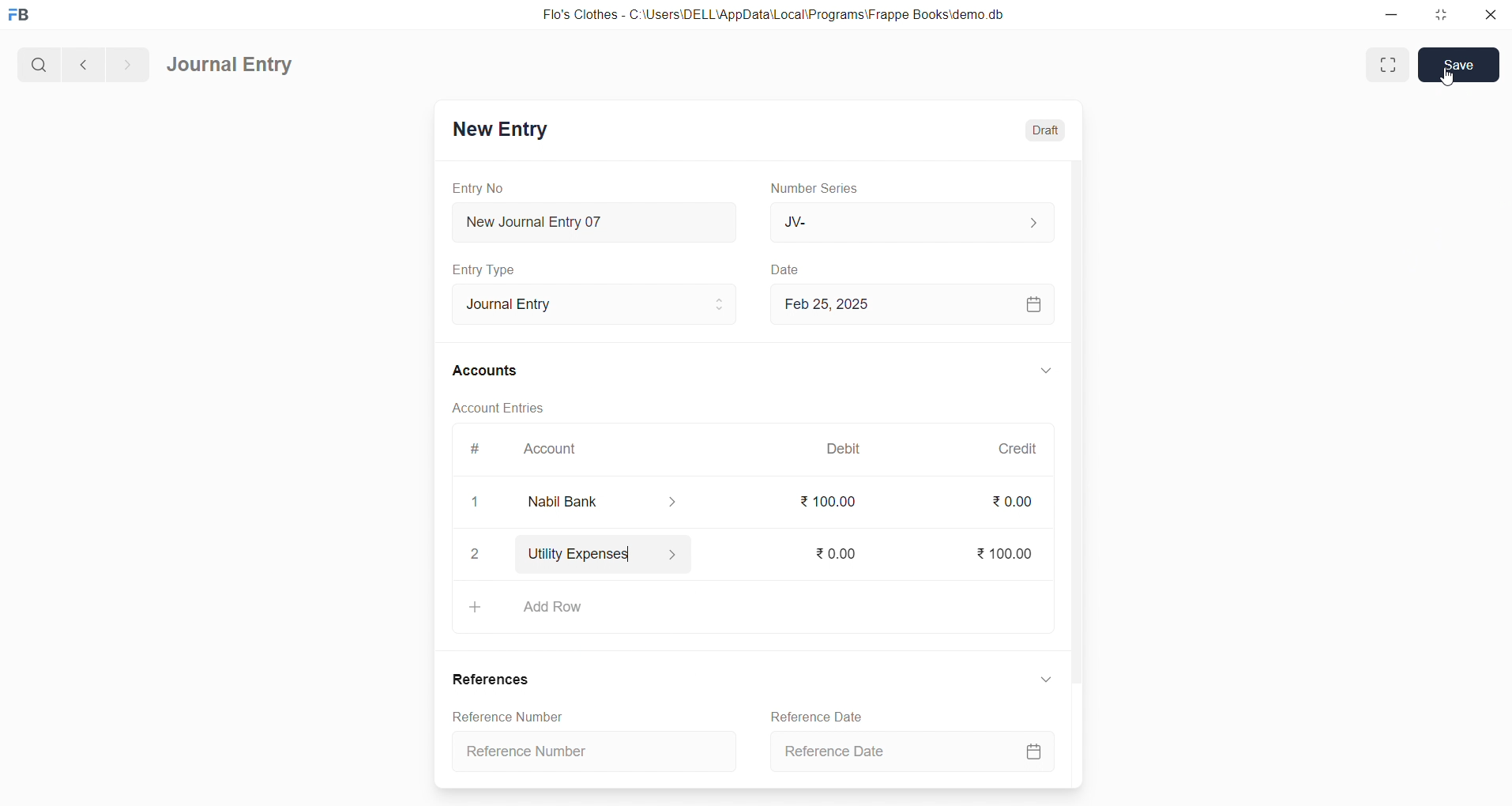 This screenshot has height=806, width=1512. I want to click on Entry Type, so click(485, 269).